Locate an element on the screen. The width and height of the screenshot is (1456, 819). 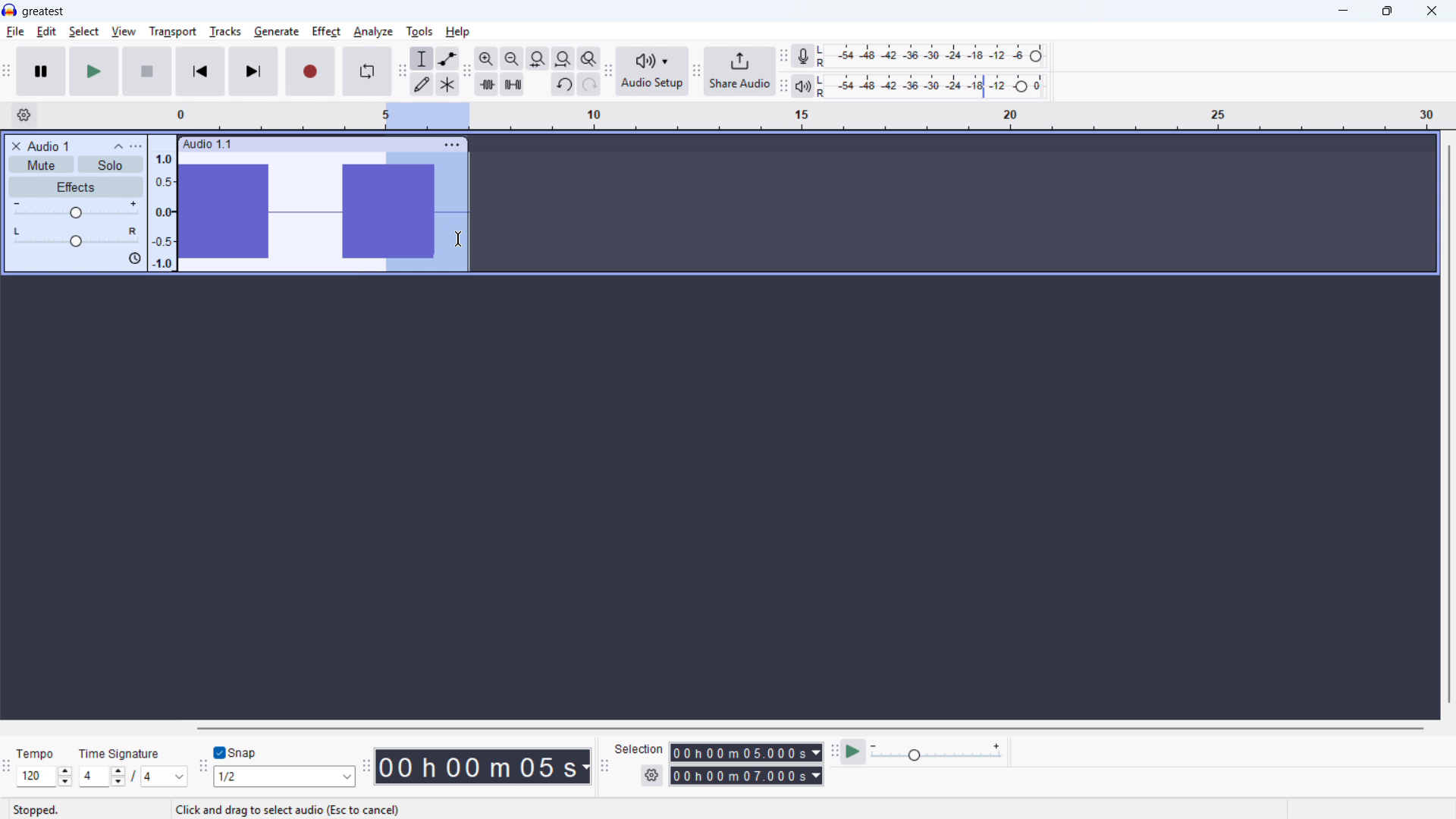
Undo  is located at coordinates (563, 84).